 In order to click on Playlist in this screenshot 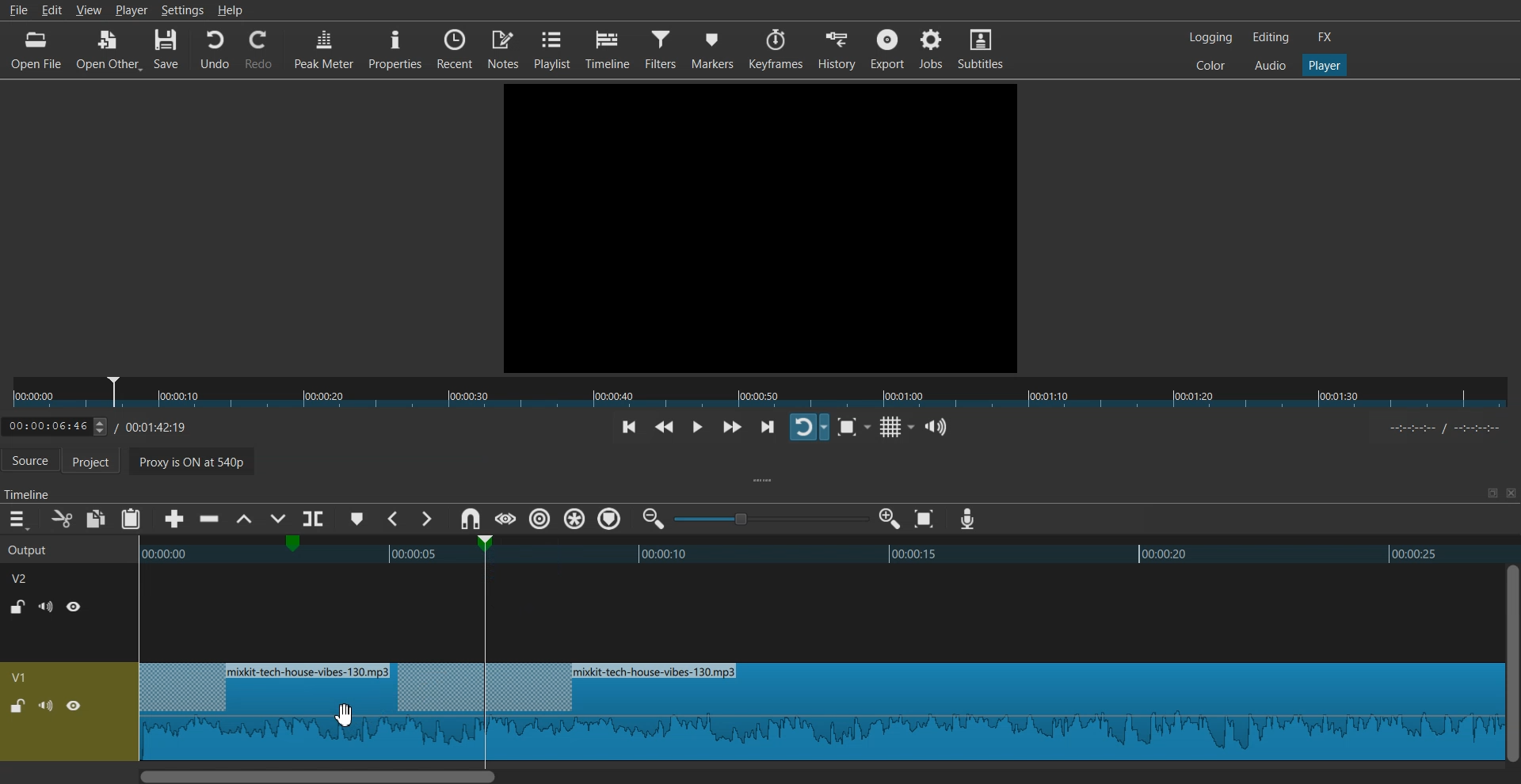, I will do `click(552, 48)`.